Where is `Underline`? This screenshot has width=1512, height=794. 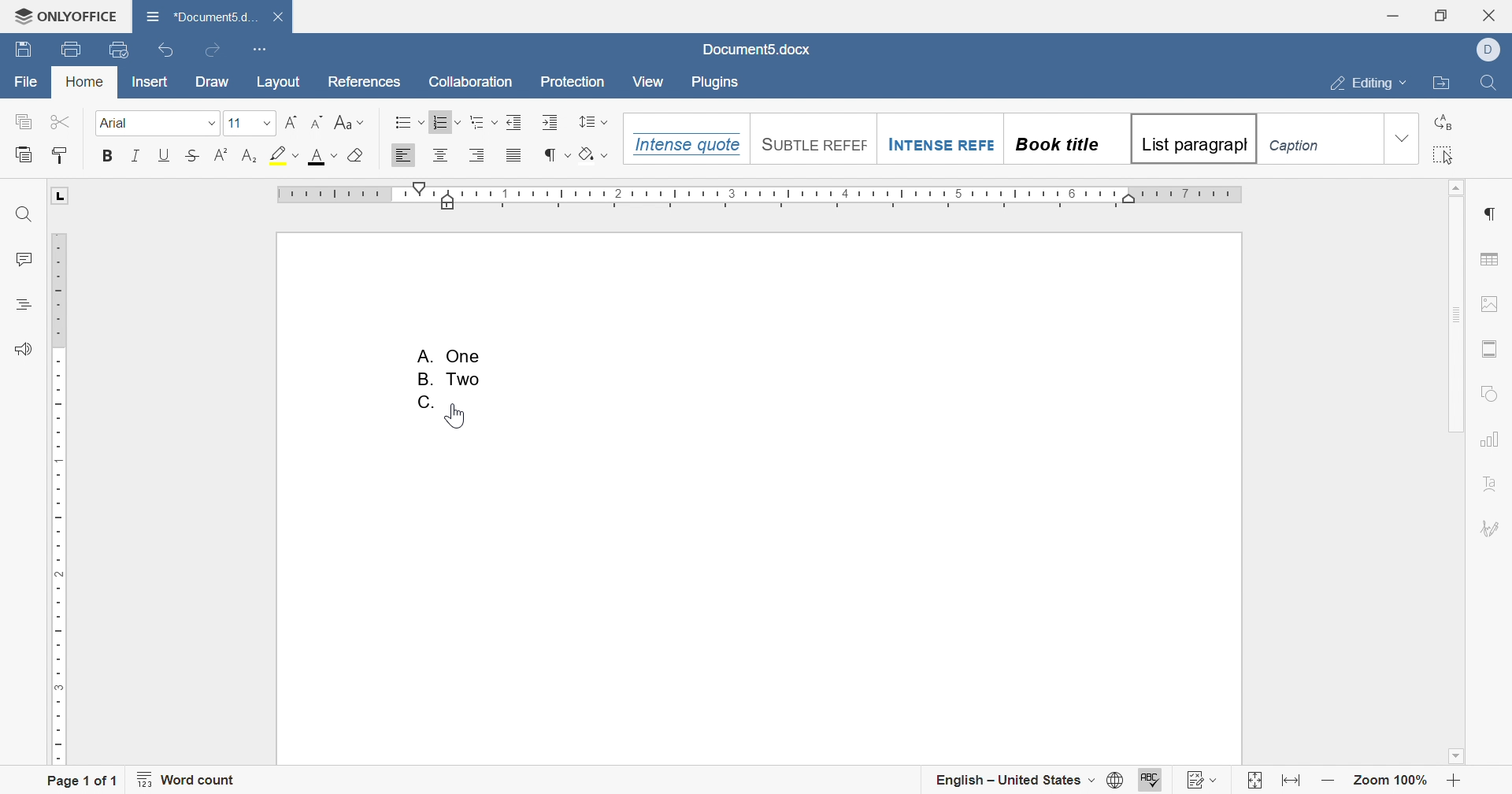
Underline is located at coordinates (164, 155).